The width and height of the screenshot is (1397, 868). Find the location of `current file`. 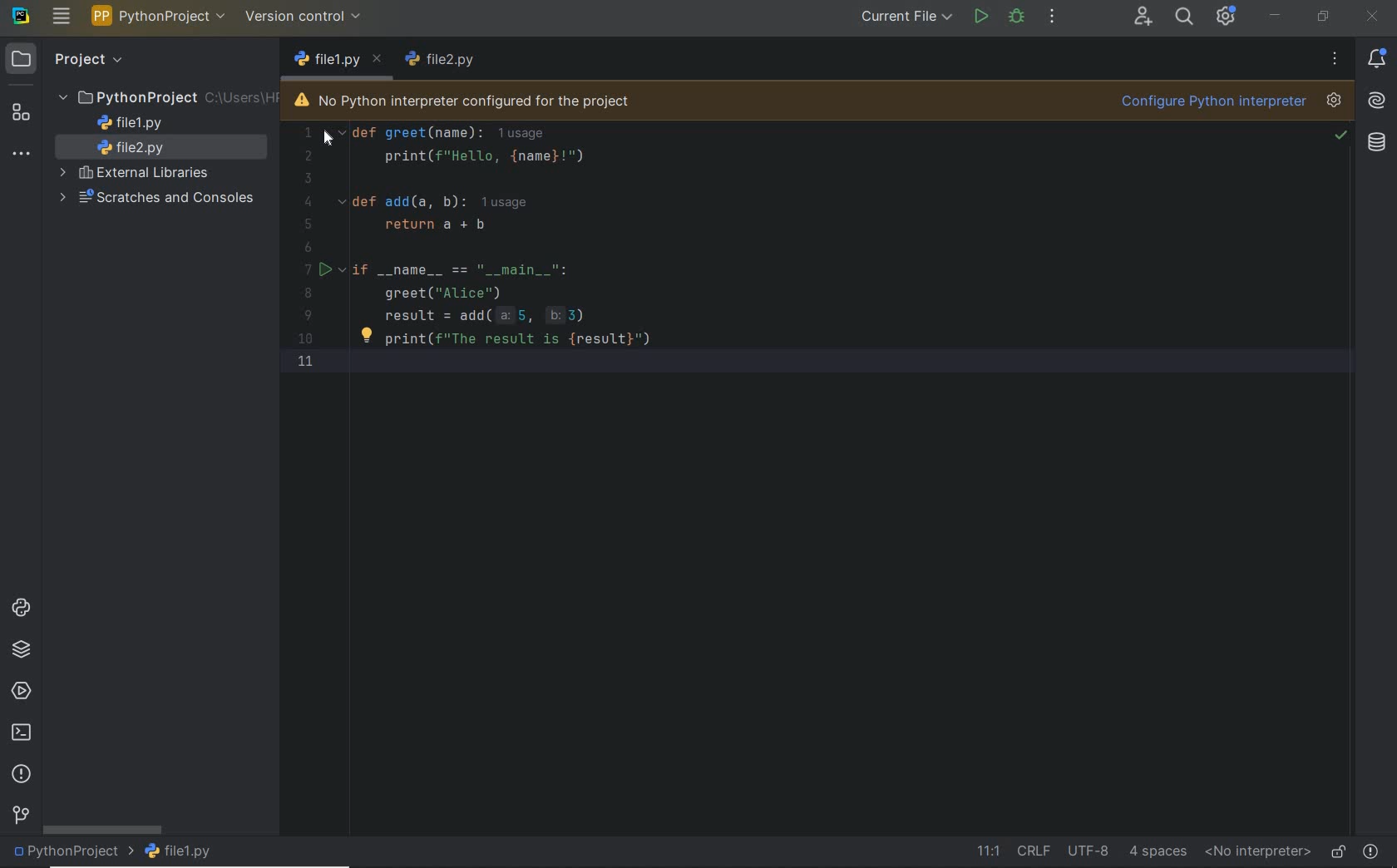

current file is located at coordinates (906, 16).